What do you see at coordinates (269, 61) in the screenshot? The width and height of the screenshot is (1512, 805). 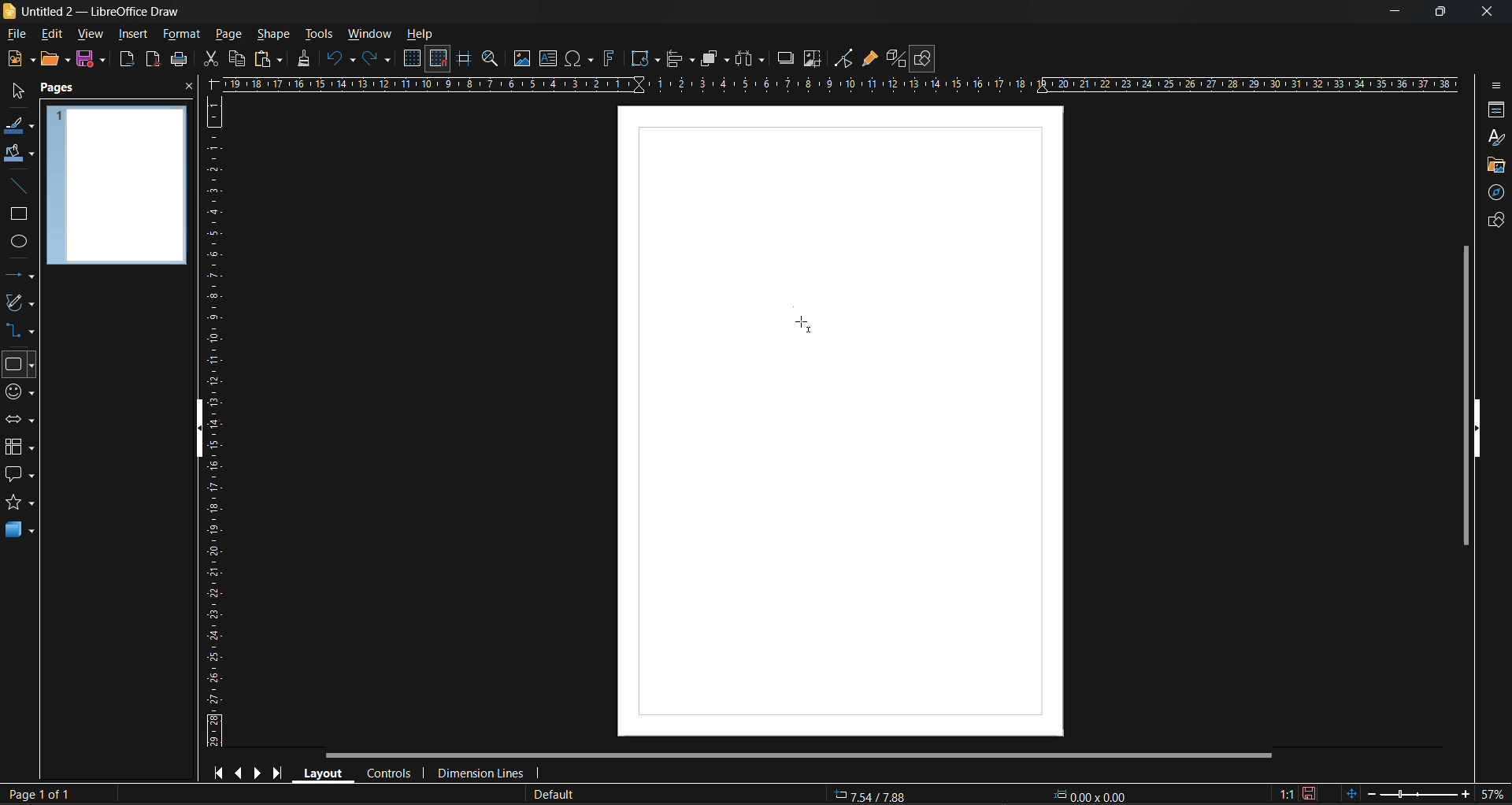 I see `paste` at bounding box center [269, 61].